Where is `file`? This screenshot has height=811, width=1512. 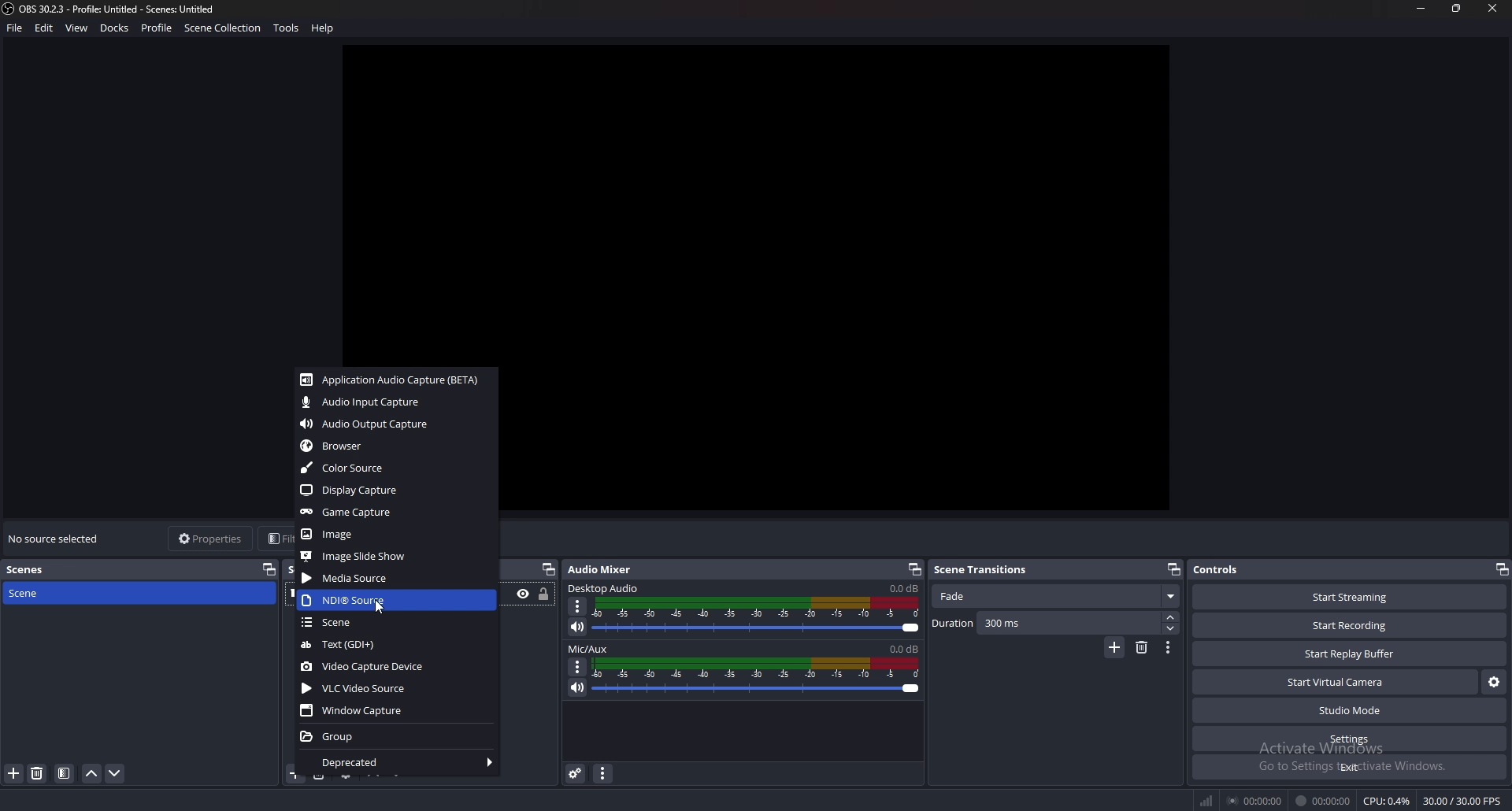
file is located at coordinates (15, 28).